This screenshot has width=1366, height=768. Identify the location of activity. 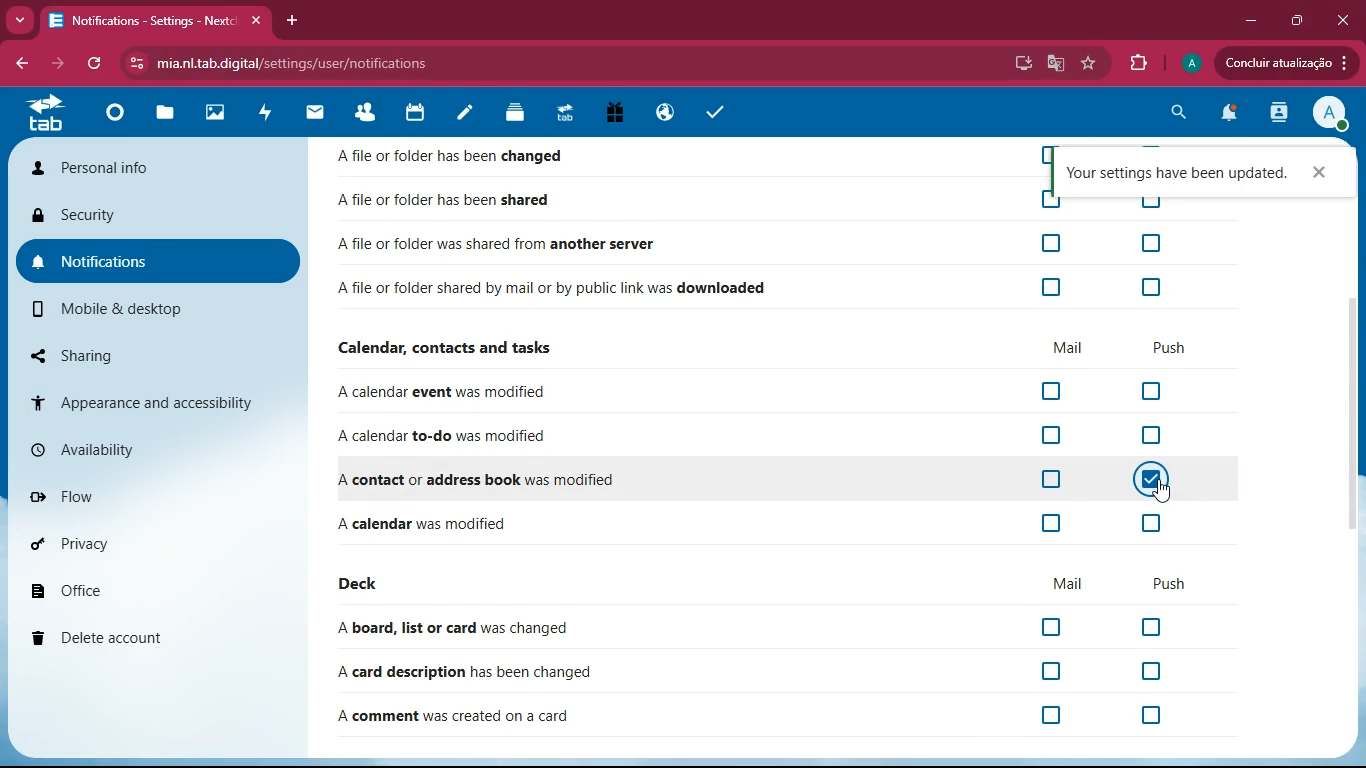
(266, 113).